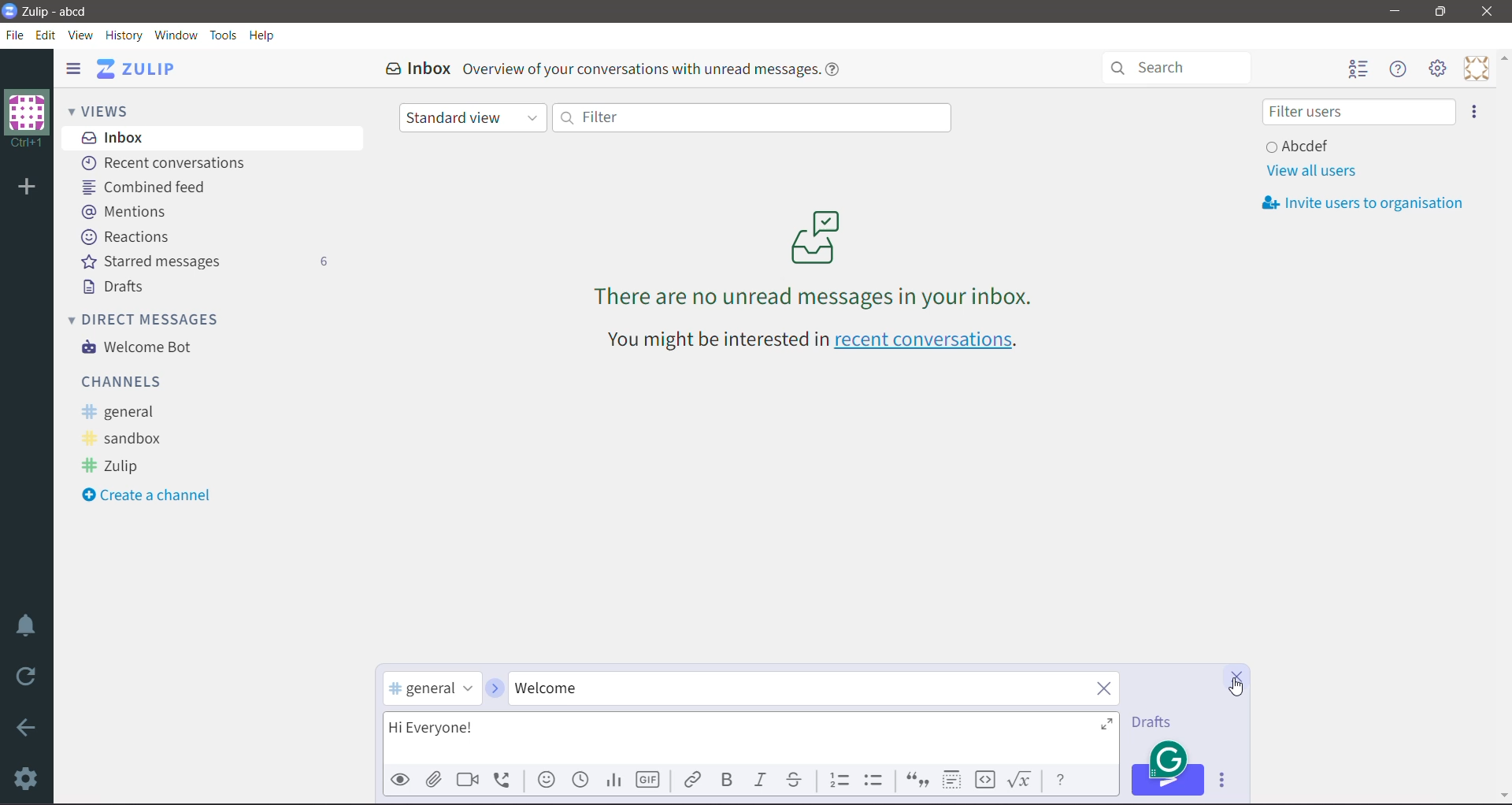 Image resolution: width=1512 pixels, height=805 pixels. I want to click on Upload File, so click(434, 780).